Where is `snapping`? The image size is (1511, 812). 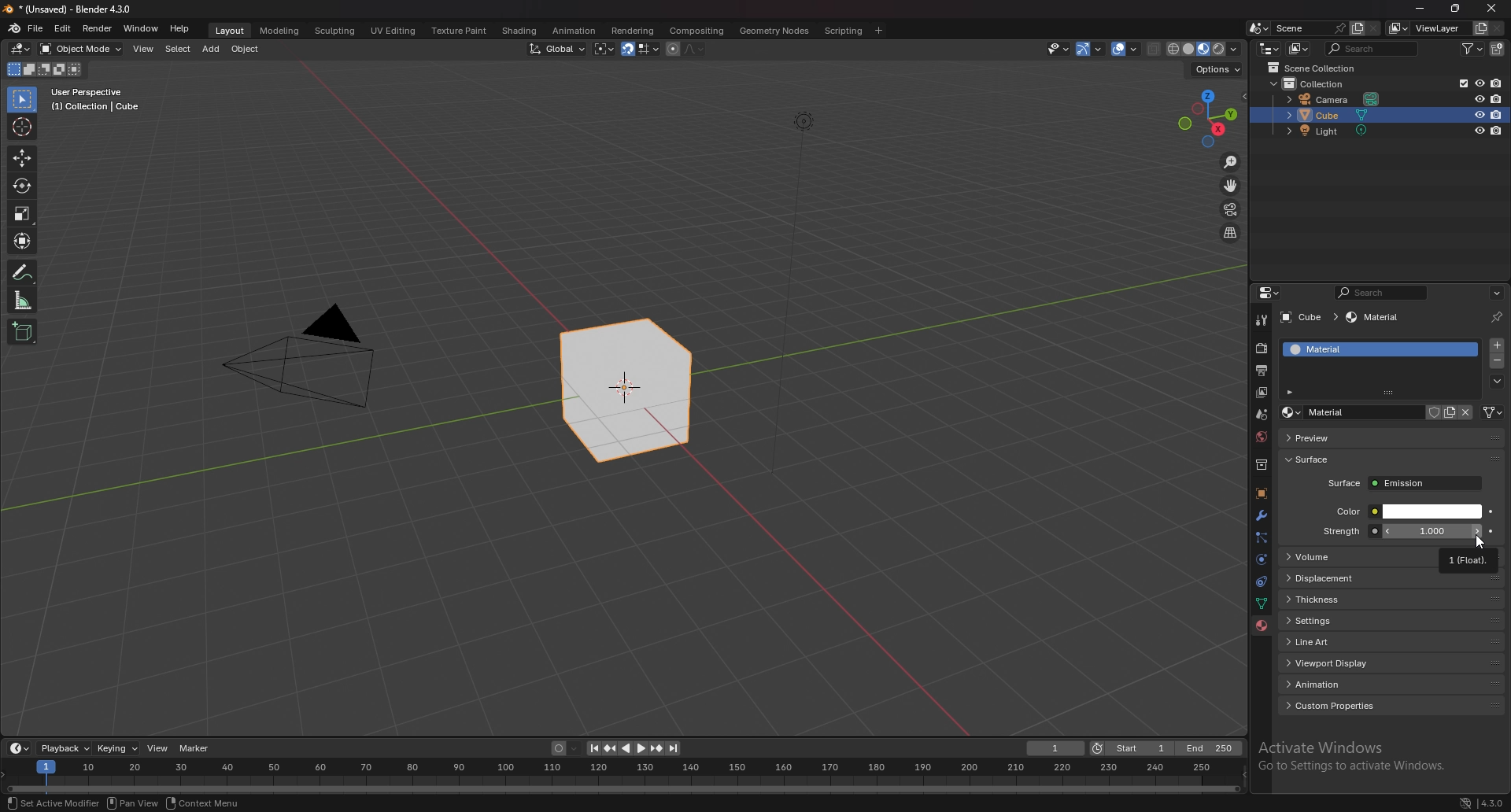
snapping is located at coordinates (640, 50).